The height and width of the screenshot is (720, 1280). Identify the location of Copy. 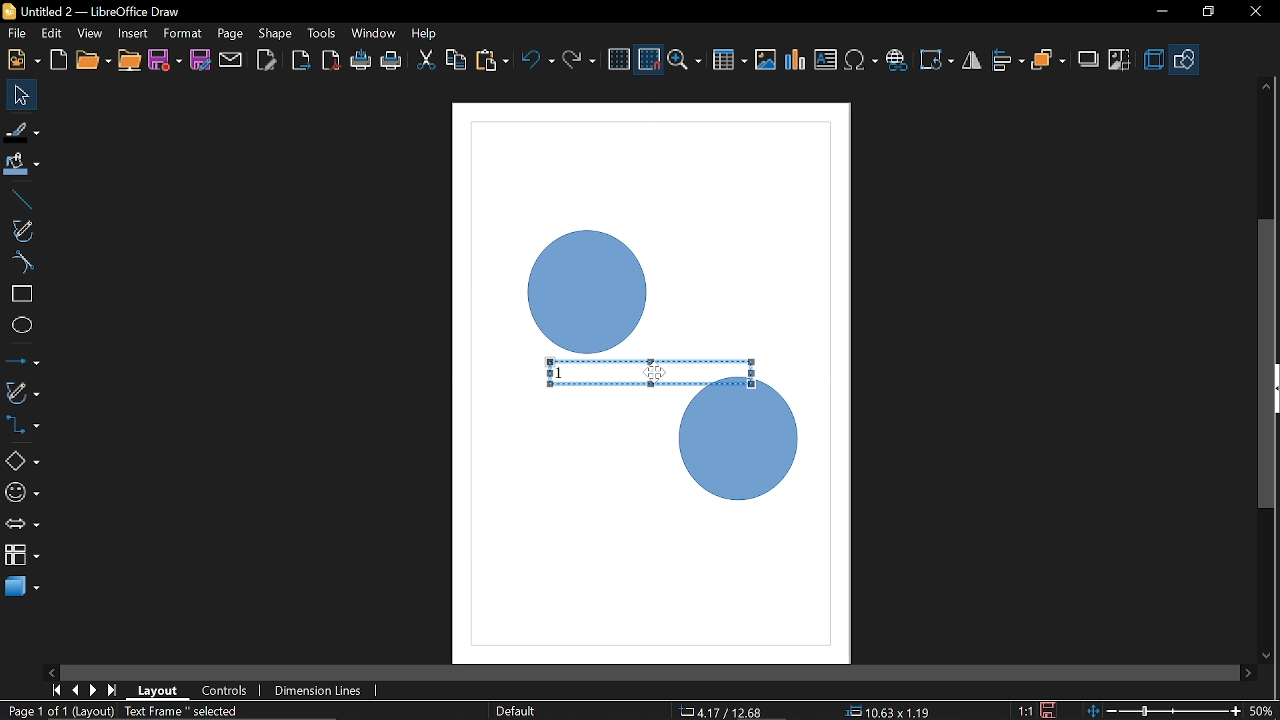
(456, 63).